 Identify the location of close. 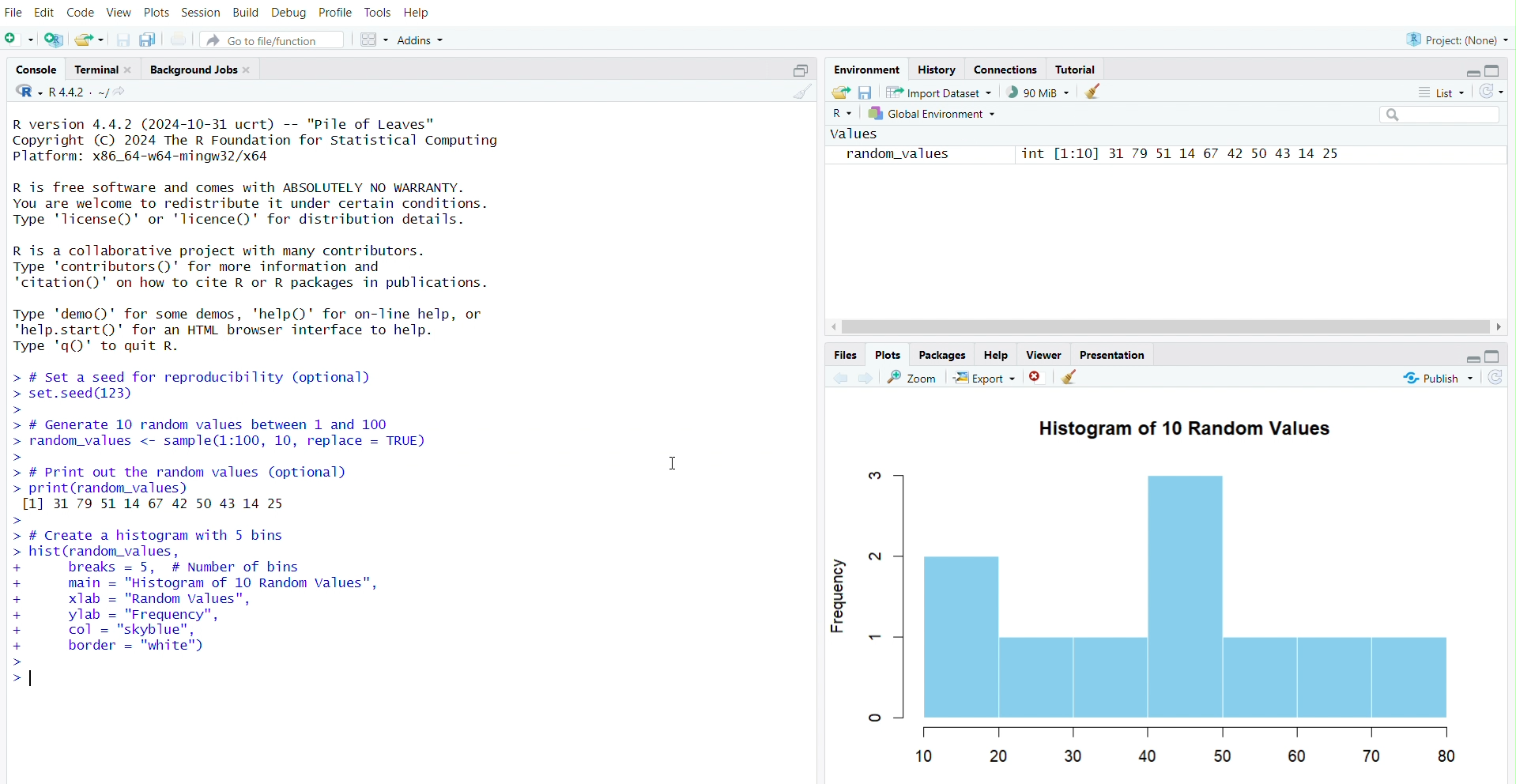
(132, 68).